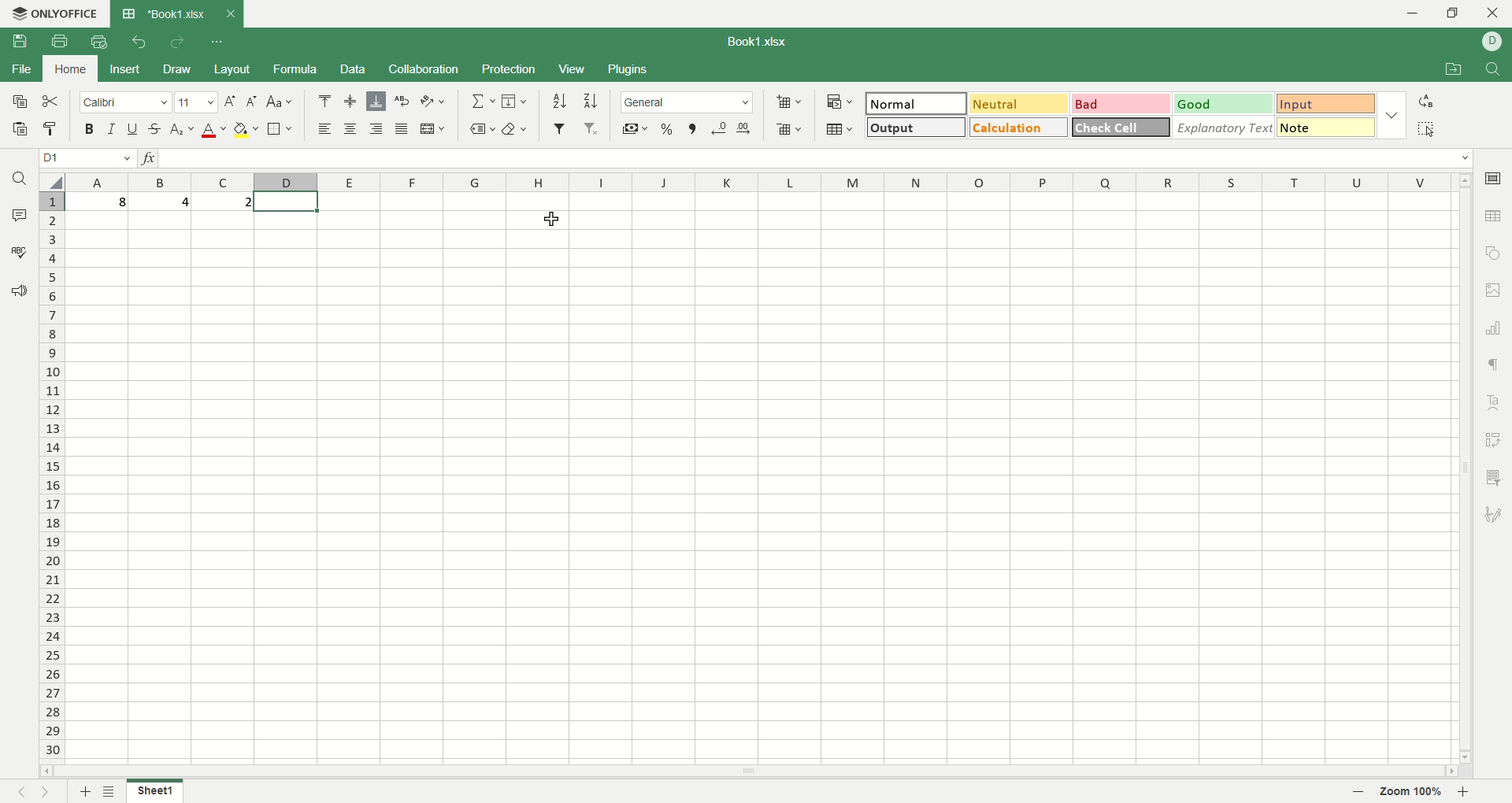 This screenshot has height=803, width=1512. What do you see at coordinates (746, 128) in the screenshot?
I see `increase decimal` at bounding box center [746, 128].